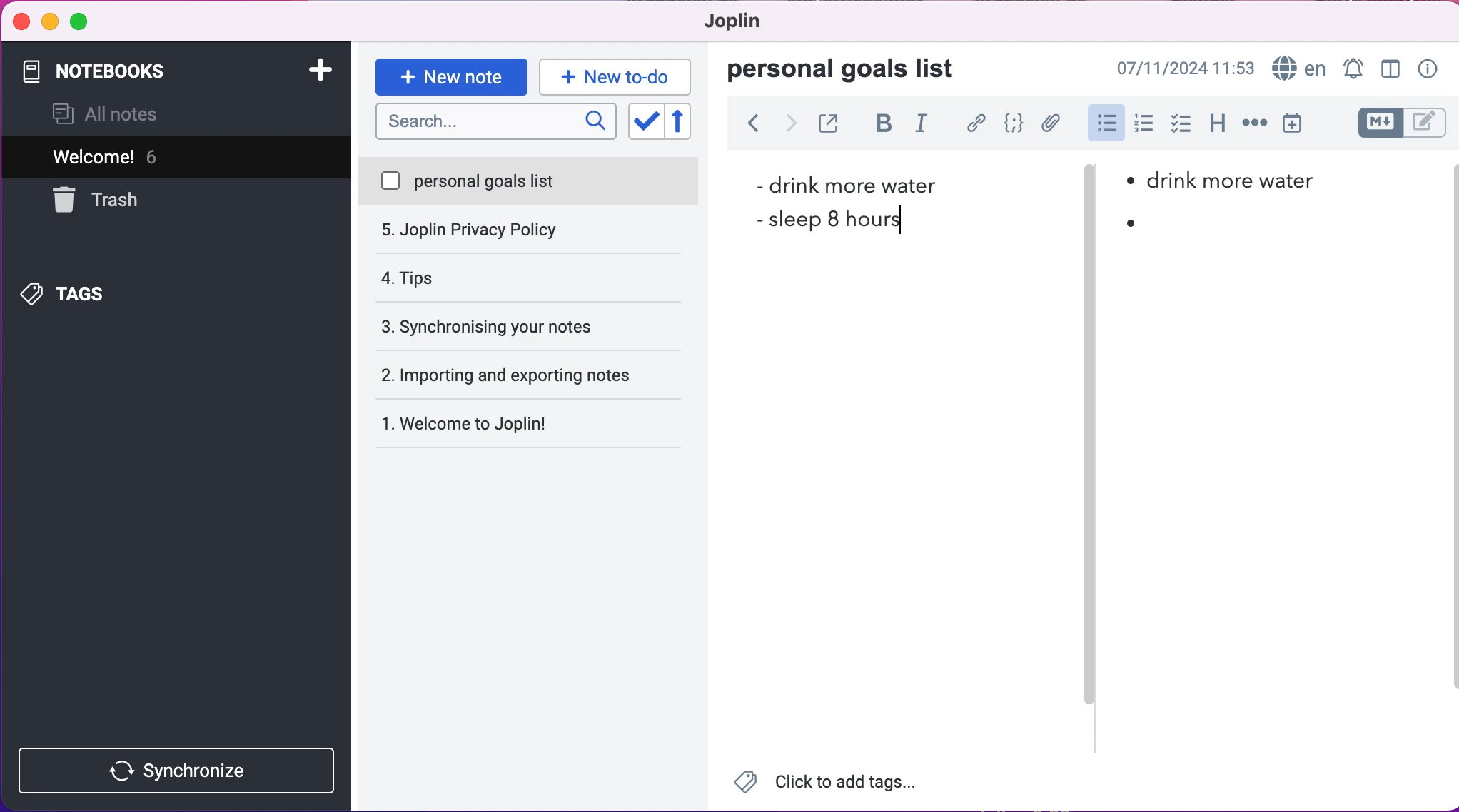  What do you see at coordinates (92, 291) in the screenshot?
I see `tags` at bounding box center [92, 291].